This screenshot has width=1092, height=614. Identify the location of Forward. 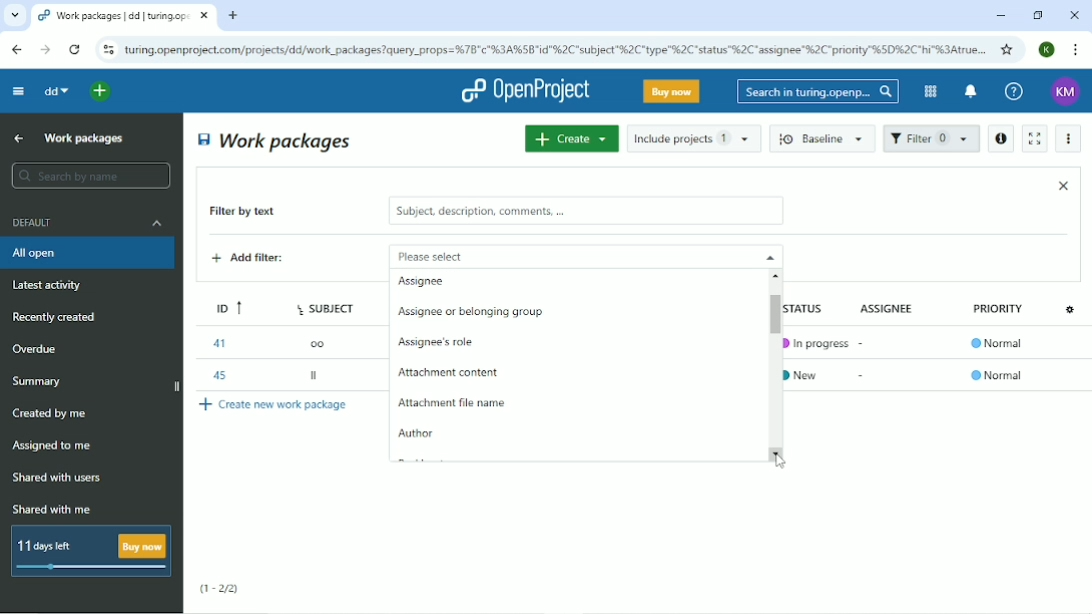
(43, 50).